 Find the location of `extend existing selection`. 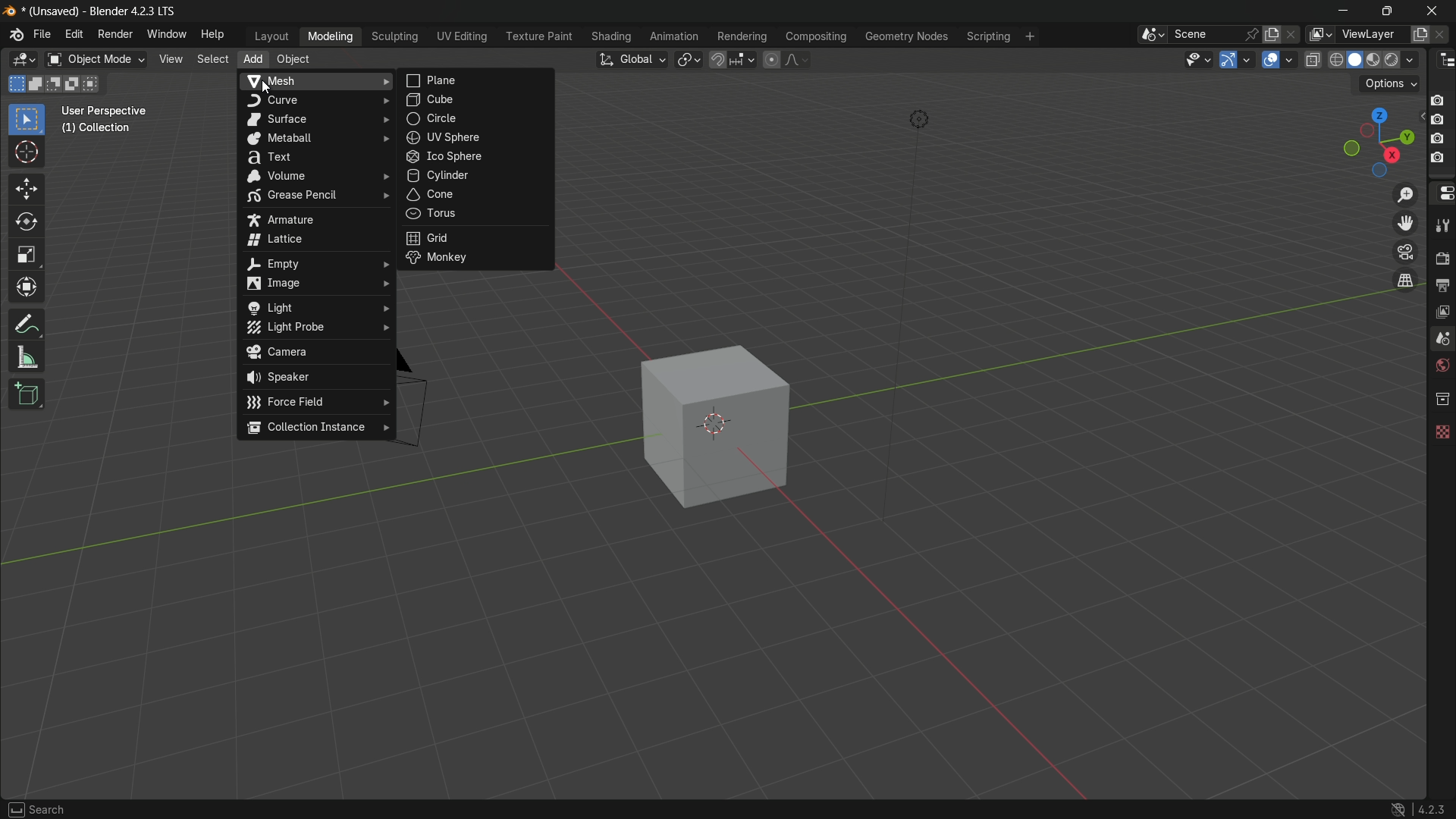

extend existing selection is located at coordinates (37, 83).